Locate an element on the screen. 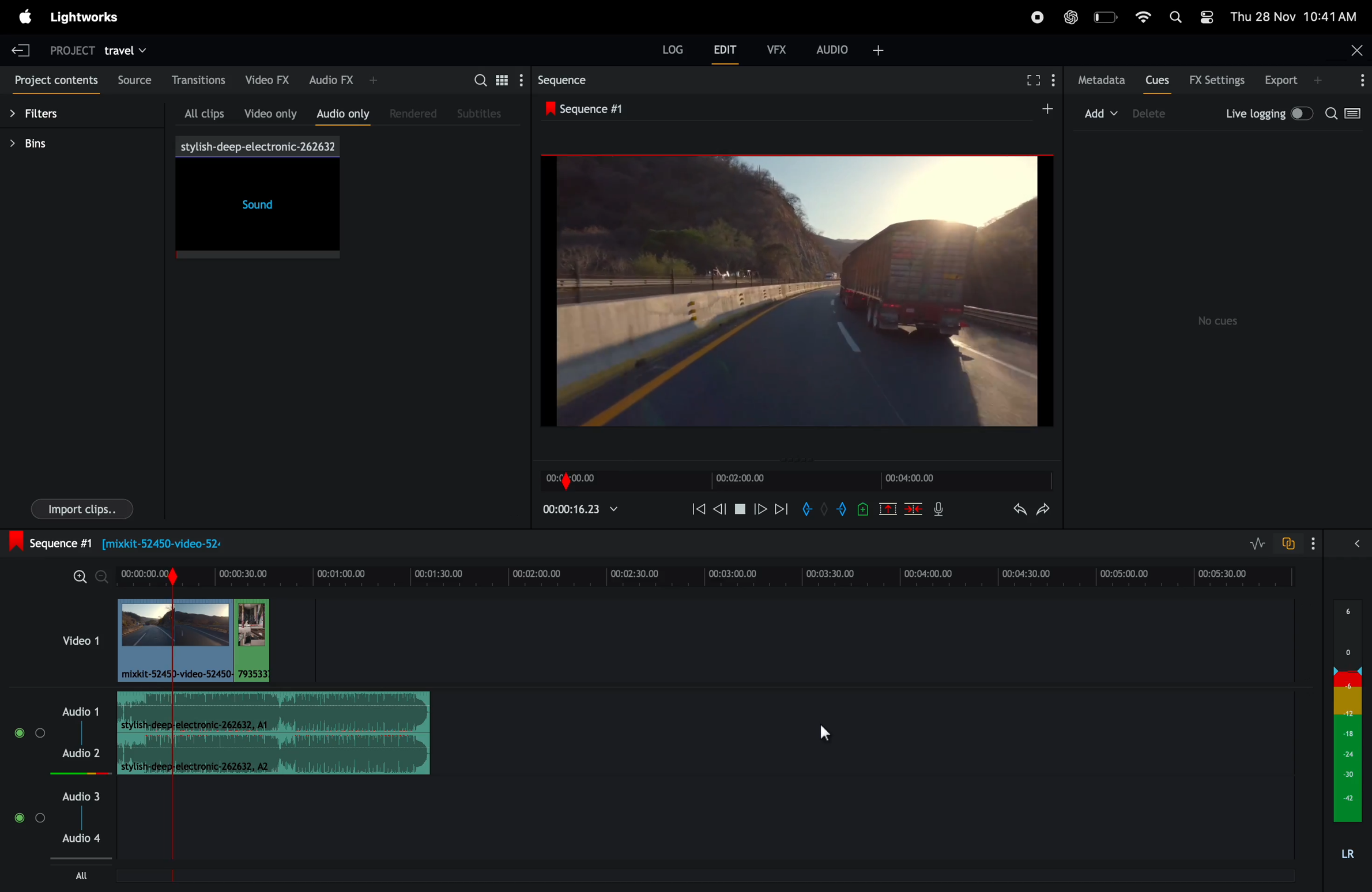  full screen is located at coordinates (1036, 80).